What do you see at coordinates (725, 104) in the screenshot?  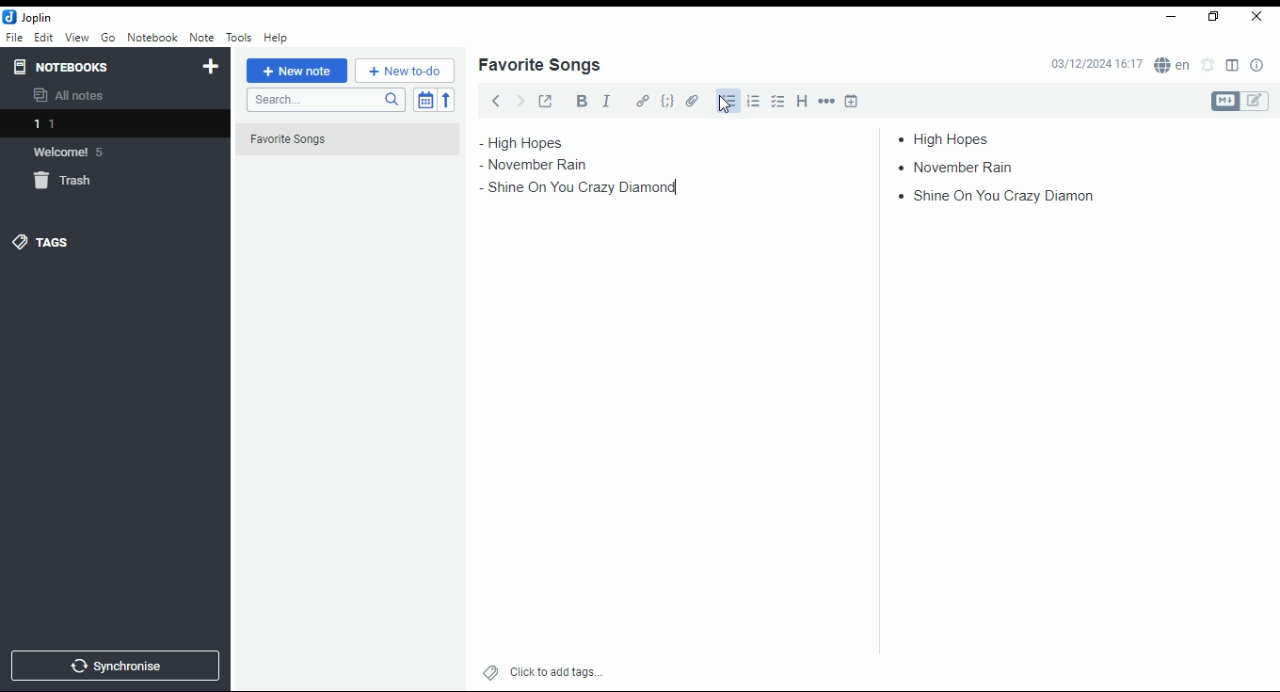 I see `mouse pointer` at bounding box center [725, 104].